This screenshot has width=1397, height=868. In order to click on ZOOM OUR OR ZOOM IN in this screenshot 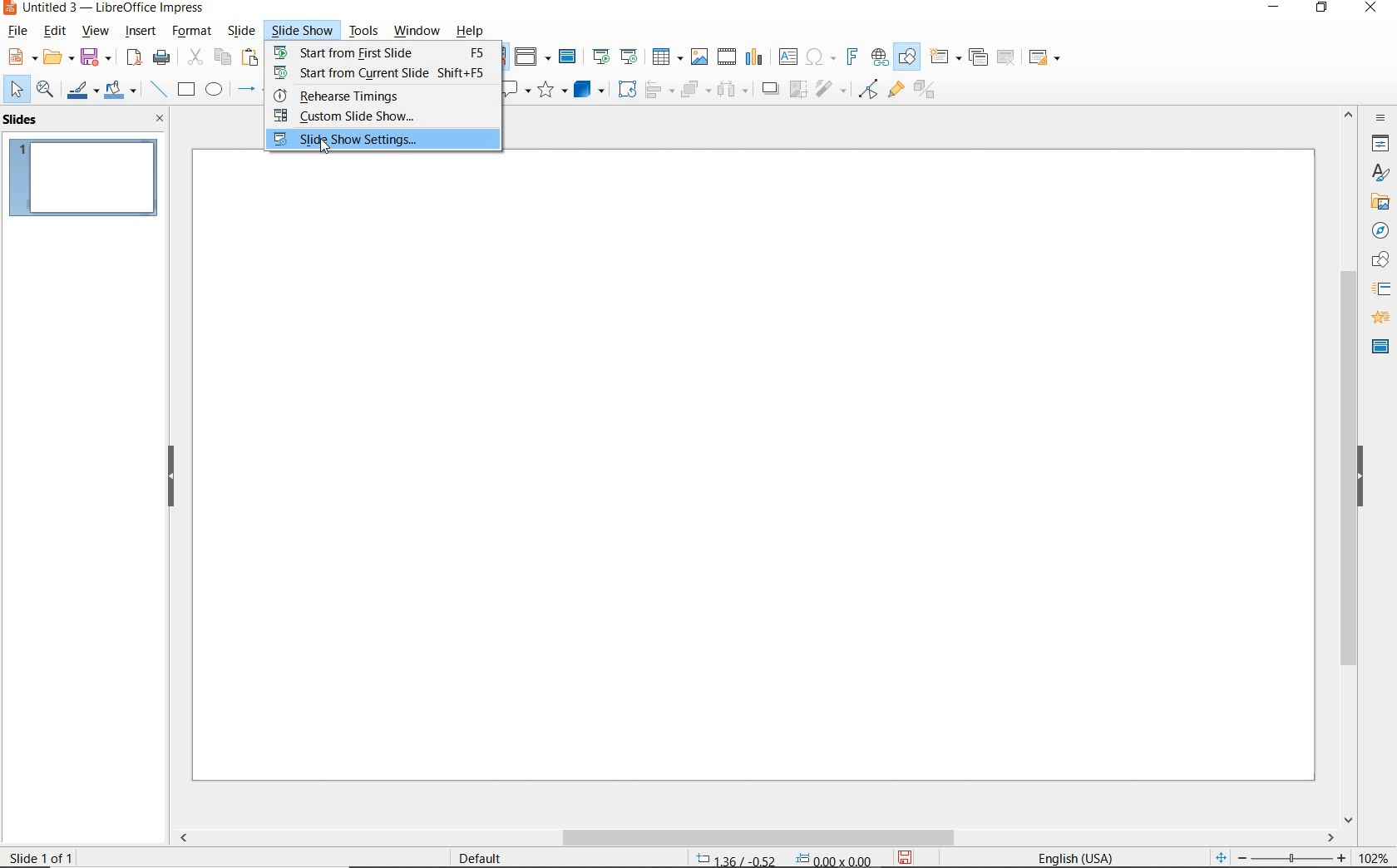, I will do `click(1278, 856)`.